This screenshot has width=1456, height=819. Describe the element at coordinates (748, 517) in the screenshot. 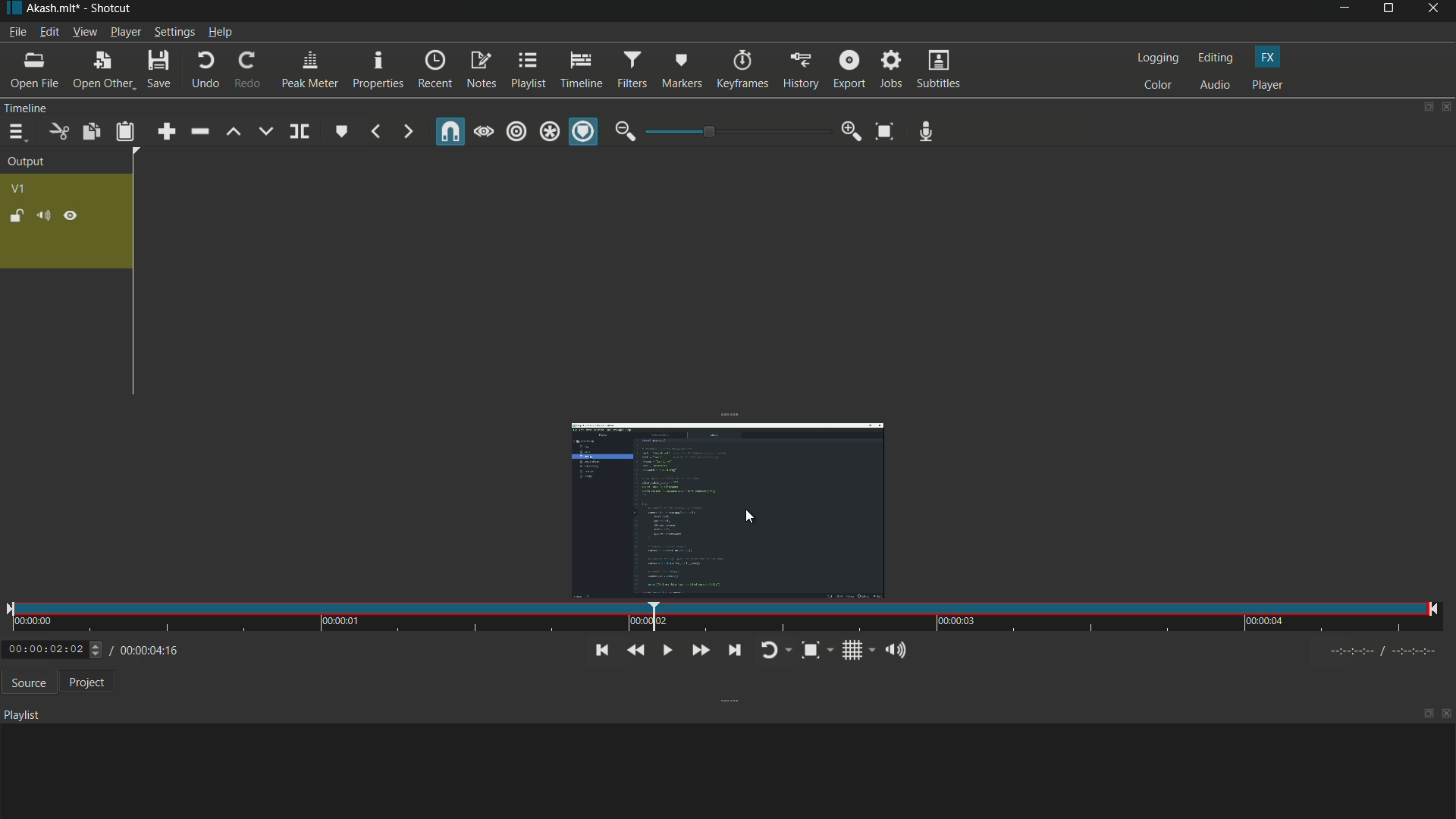

I see `cursor` at that location.